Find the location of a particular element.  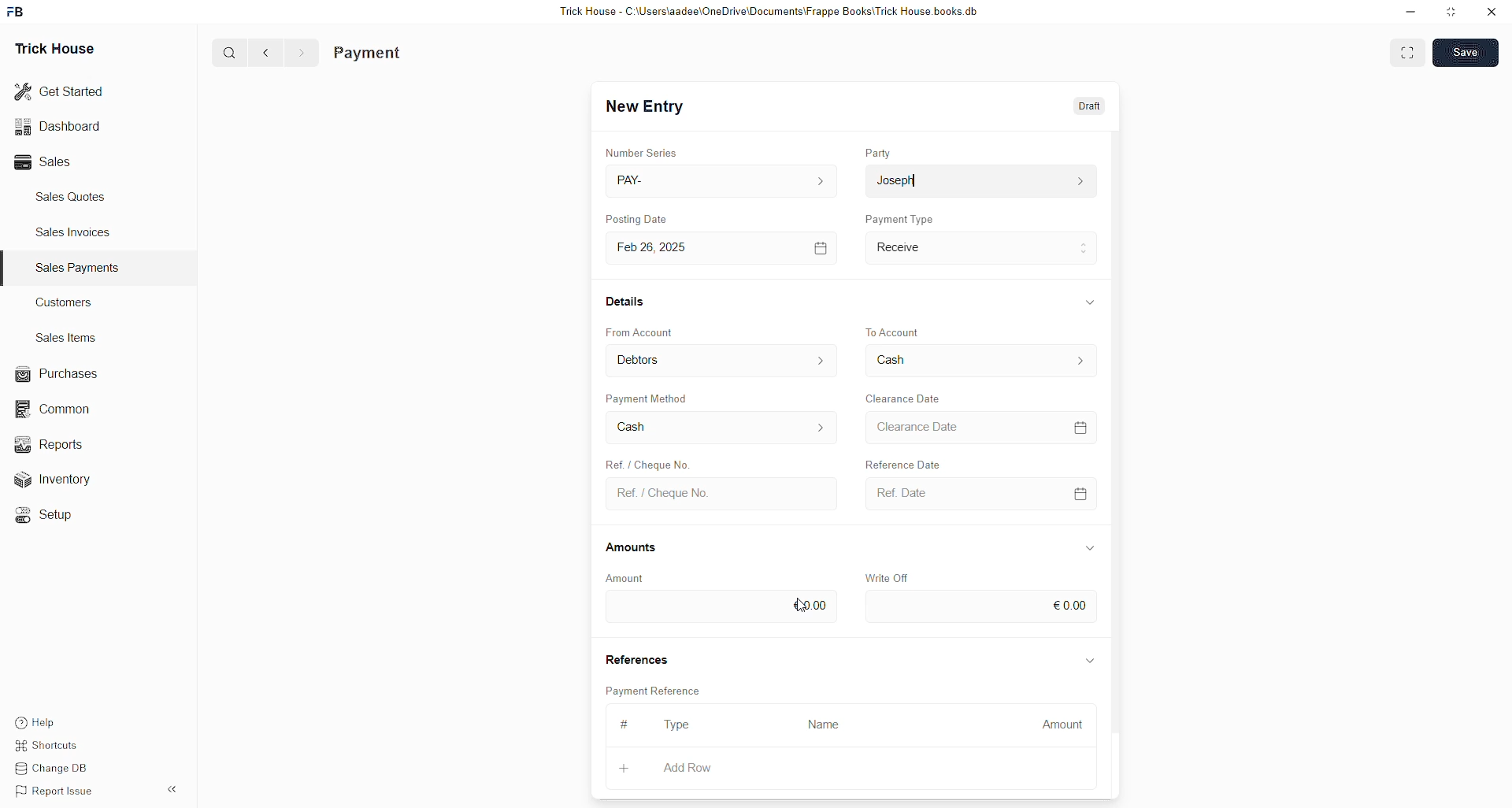

Trick House is located at coordinates (54, 50).